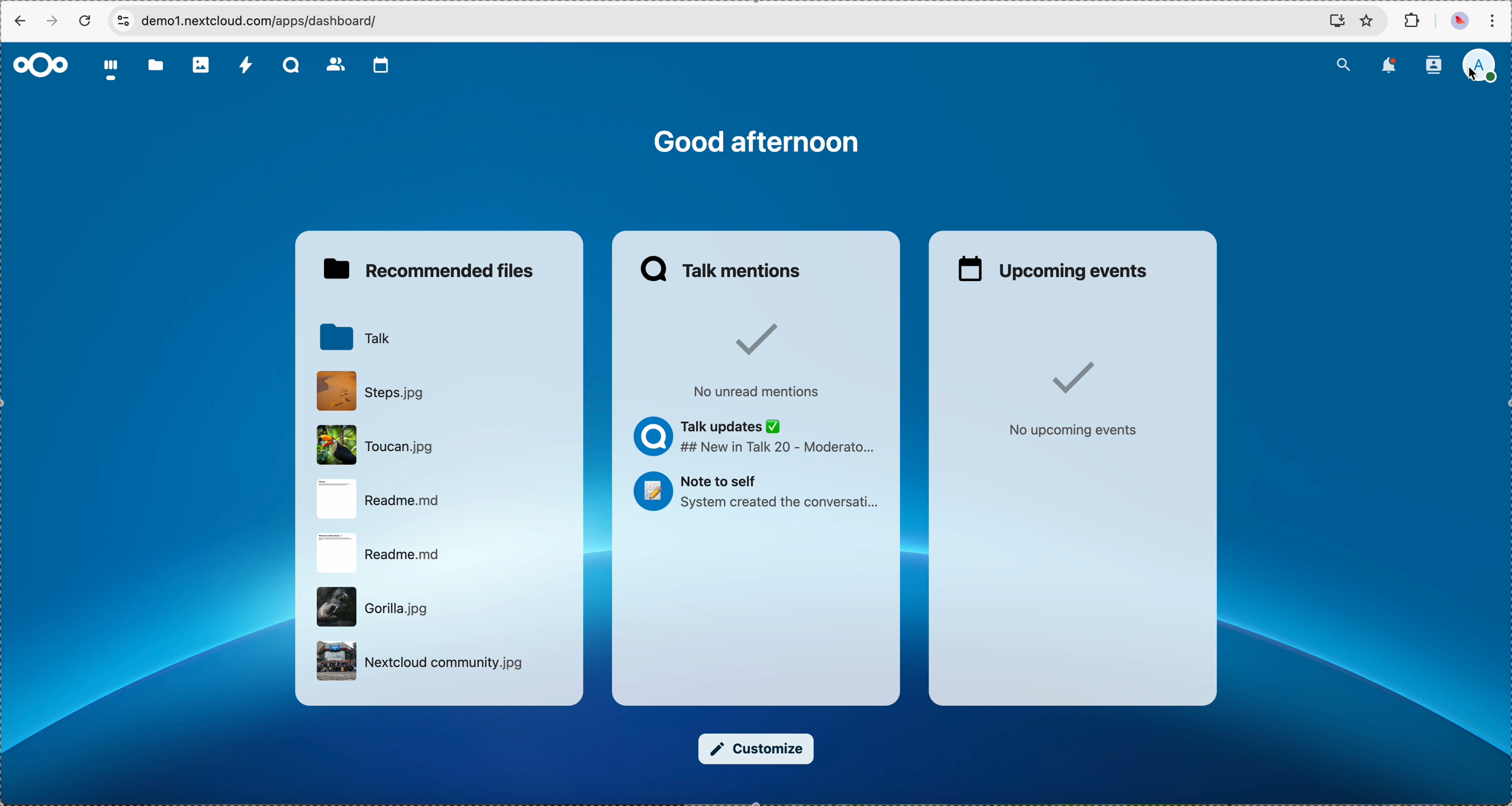 The height and width of the screenshot is (806, 1512). I want to click on customize and control Google Chrome, so click(1492, 21).